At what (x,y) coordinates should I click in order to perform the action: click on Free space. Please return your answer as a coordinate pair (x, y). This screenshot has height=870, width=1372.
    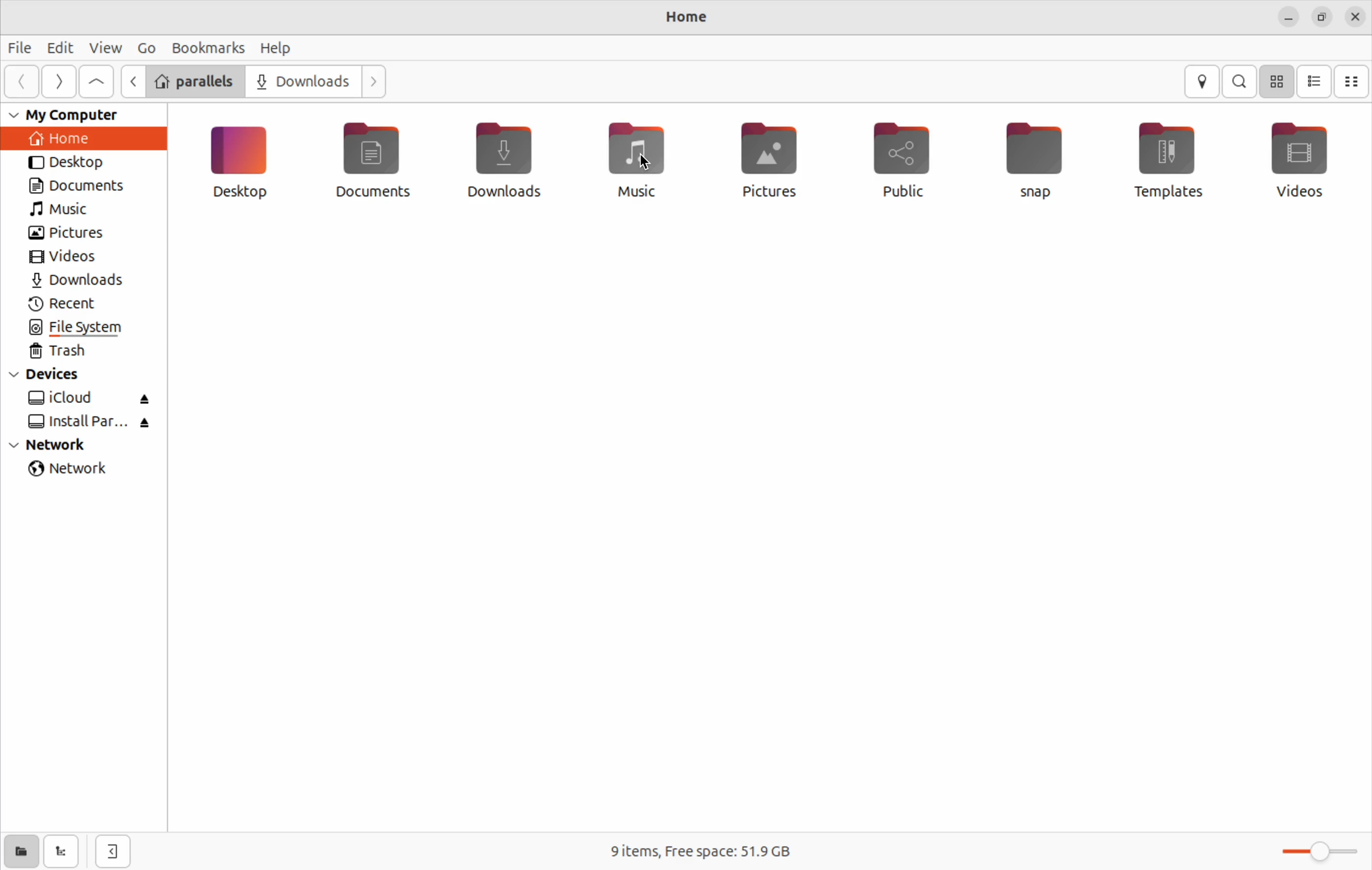
    Looking at the image, I should click on (700, 847).